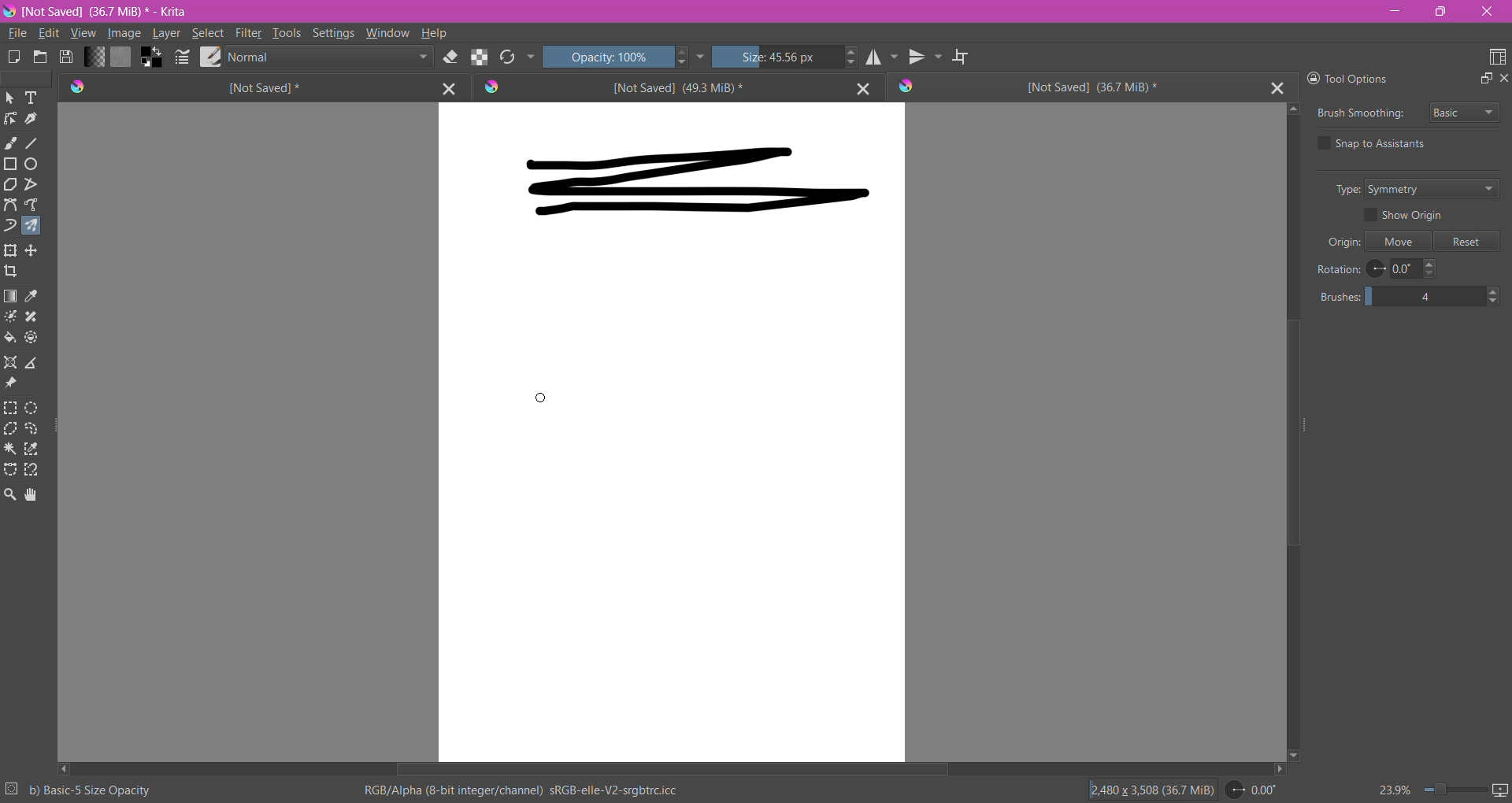 The image size is (1512, 803). Describe the element at coordinates (33, 204) in the screenshot. I see `Freehand Path Tool` at that location.